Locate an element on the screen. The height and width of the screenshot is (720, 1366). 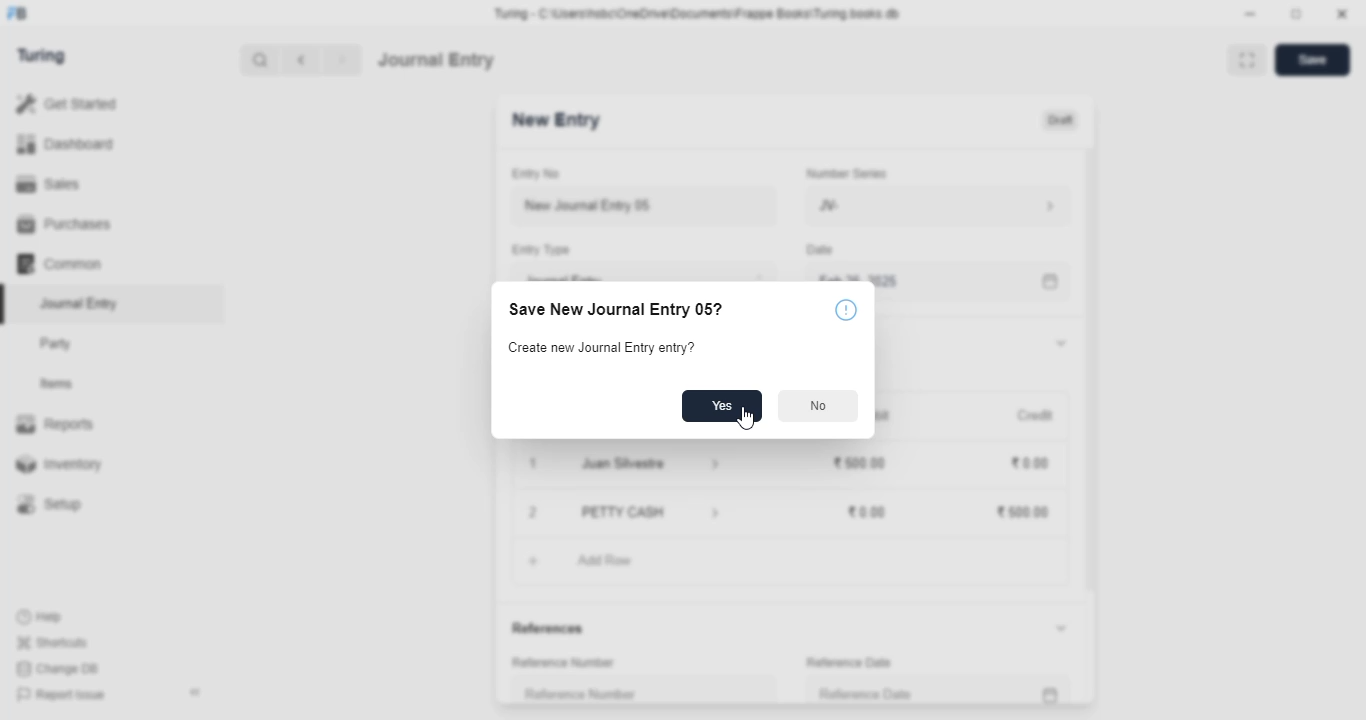
journal entry is located at coordinates (78, 303).